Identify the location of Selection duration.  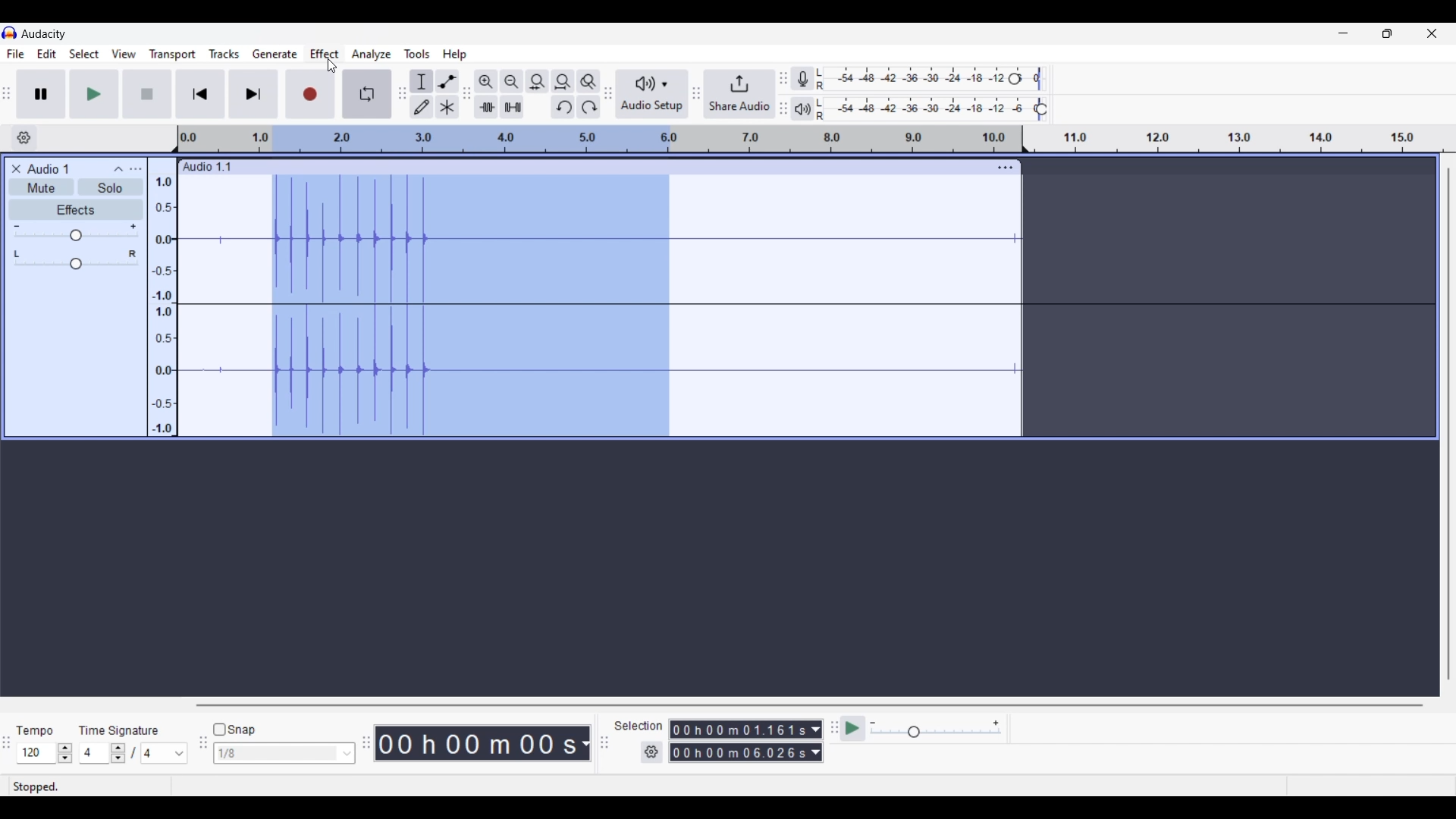
(738, 741).